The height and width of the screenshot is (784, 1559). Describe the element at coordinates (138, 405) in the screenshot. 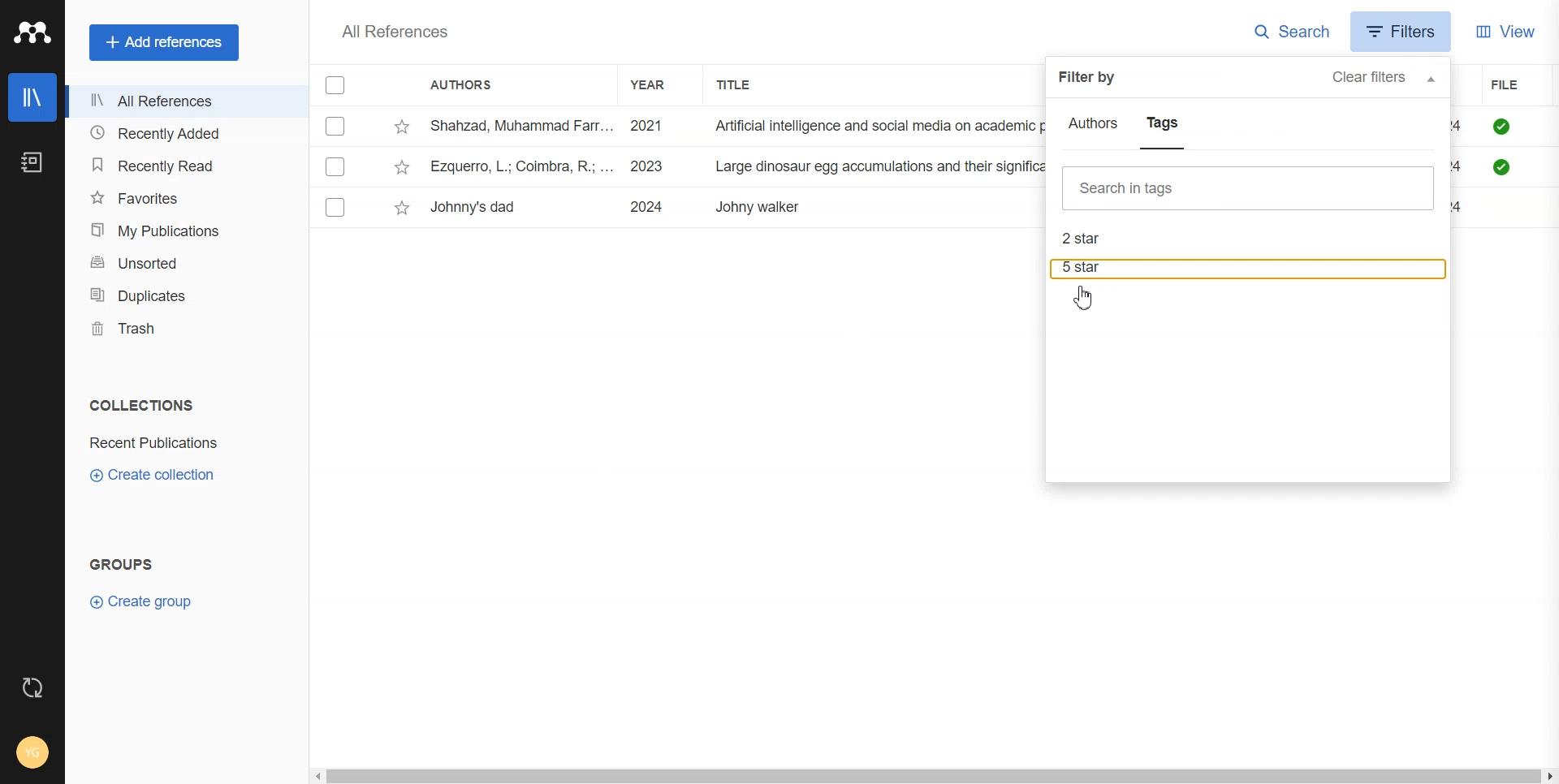

I see `text 1` at that location.